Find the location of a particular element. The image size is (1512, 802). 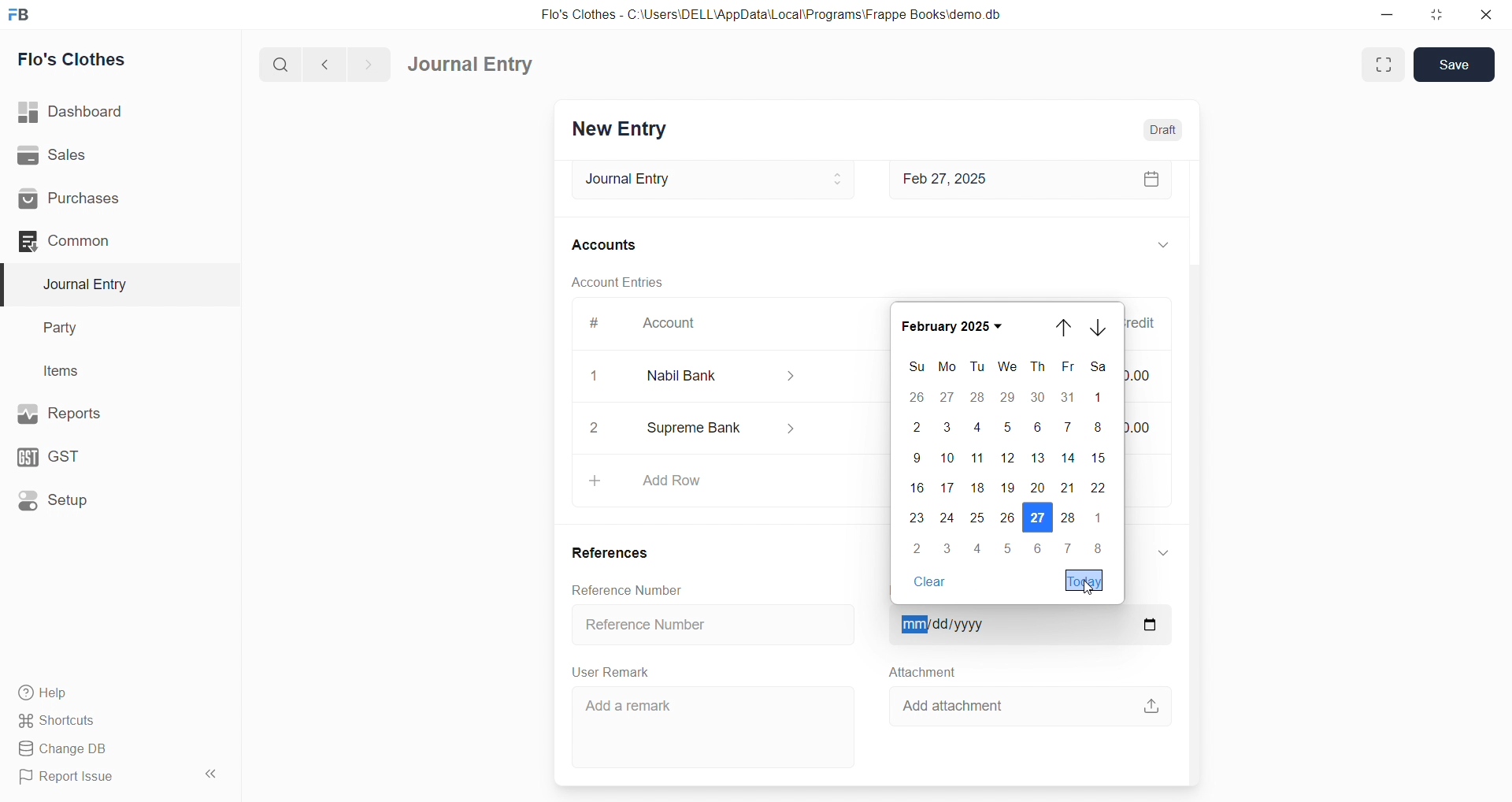

TH is located at coordinates (1039, 366).